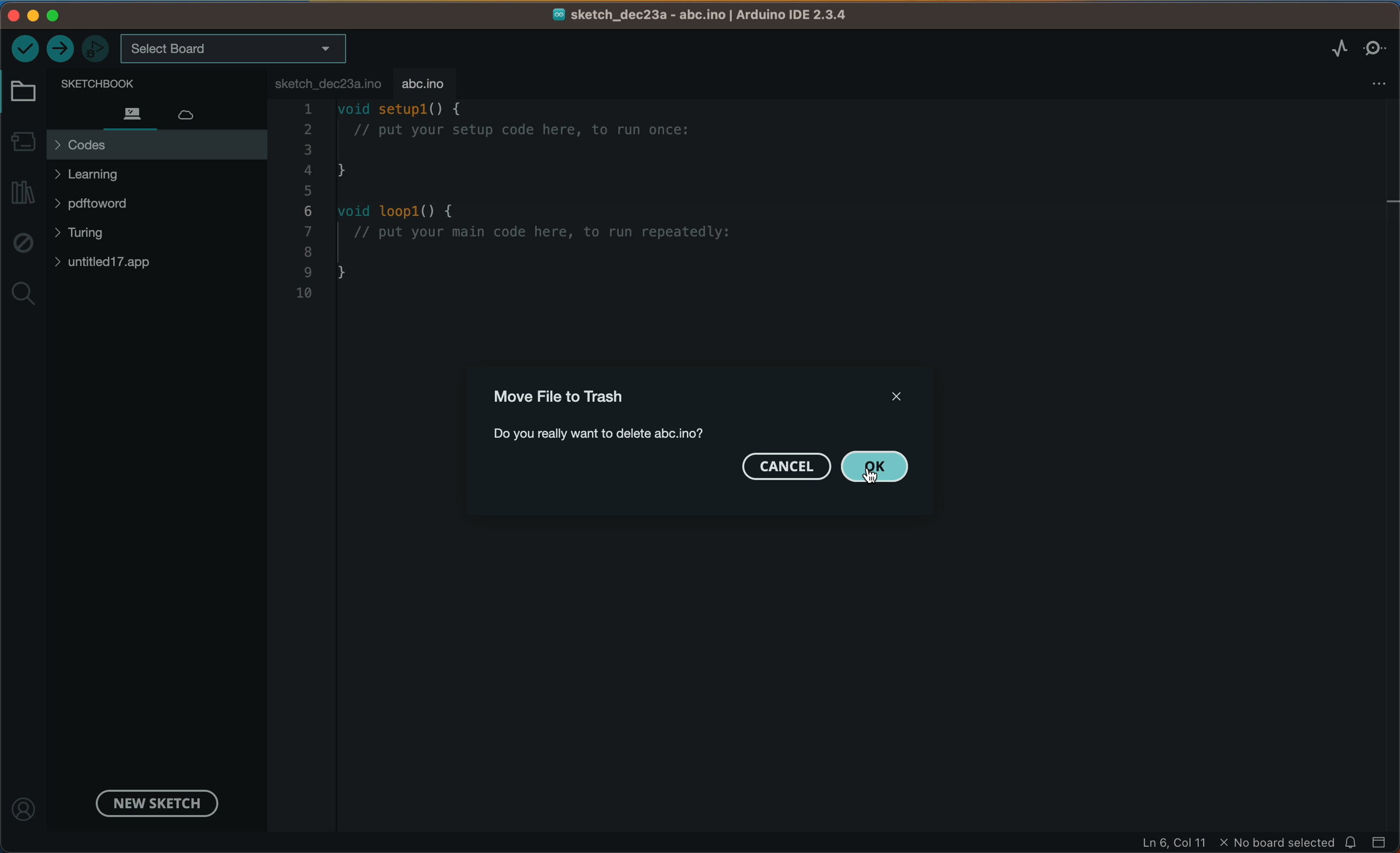  What do you see at coordinates (58, 49) in the screenshot?
I see `upload` at bounding box center [58, 49].